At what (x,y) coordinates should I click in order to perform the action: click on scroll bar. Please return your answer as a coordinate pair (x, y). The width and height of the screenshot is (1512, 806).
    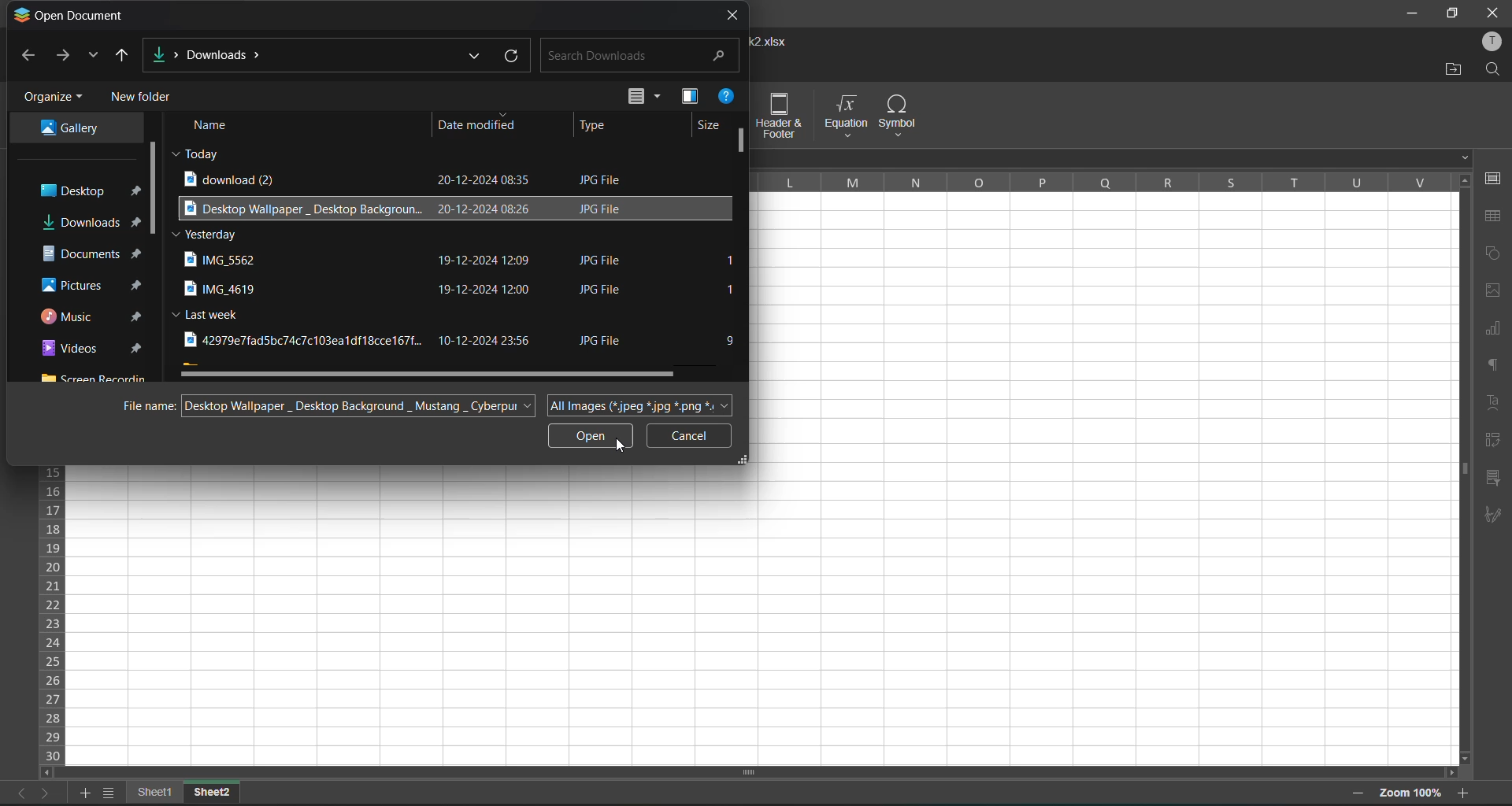
    Looking at the image, I should click on (734, 774).